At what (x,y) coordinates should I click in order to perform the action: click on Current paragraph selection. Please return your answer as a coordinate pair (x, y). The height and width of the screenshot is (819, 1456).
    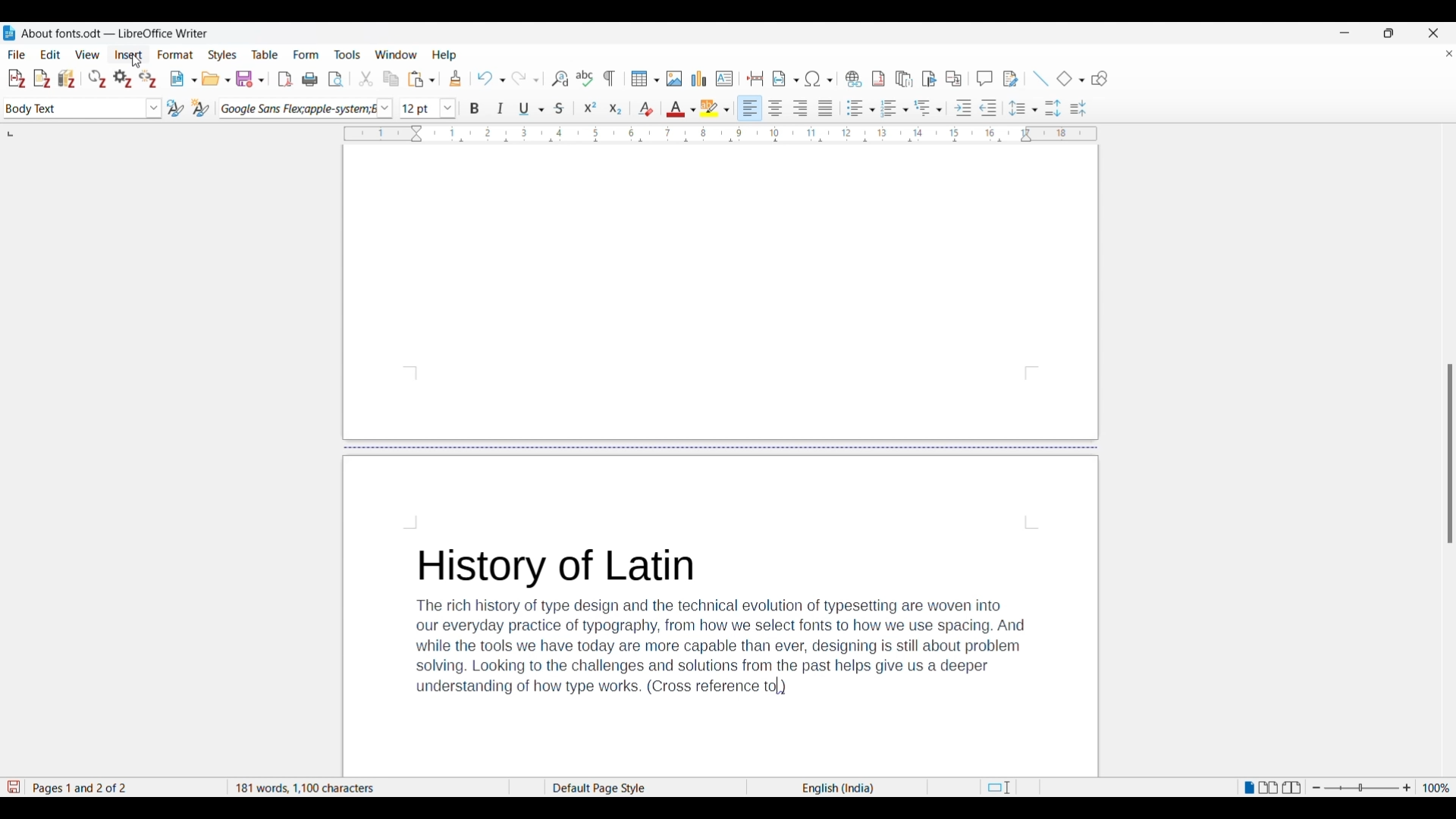
    Looking at the image, I should click on (74, 109).